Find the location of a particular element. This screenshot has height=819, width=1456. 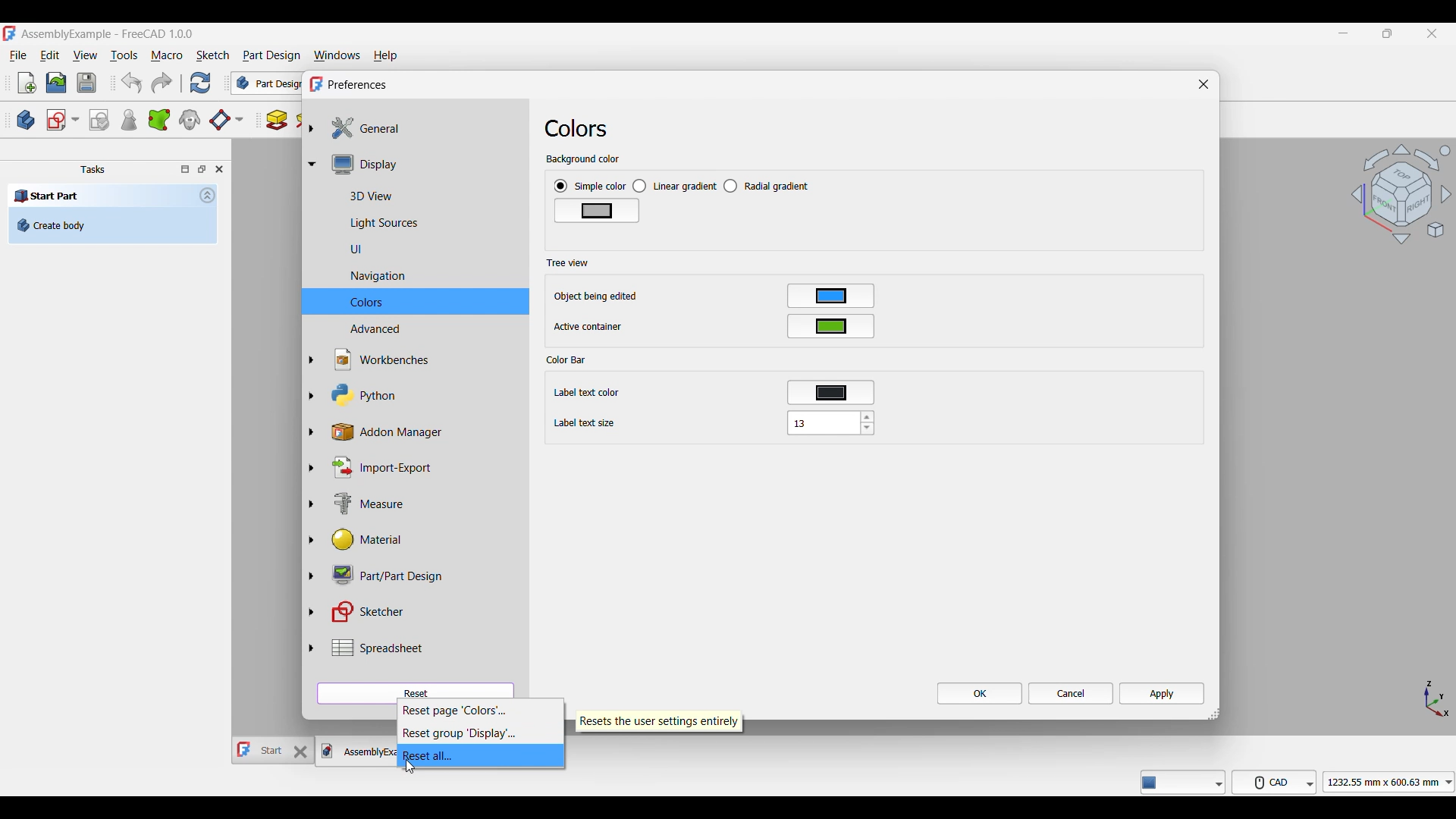

Help menu is located at coordinates (385, 56).